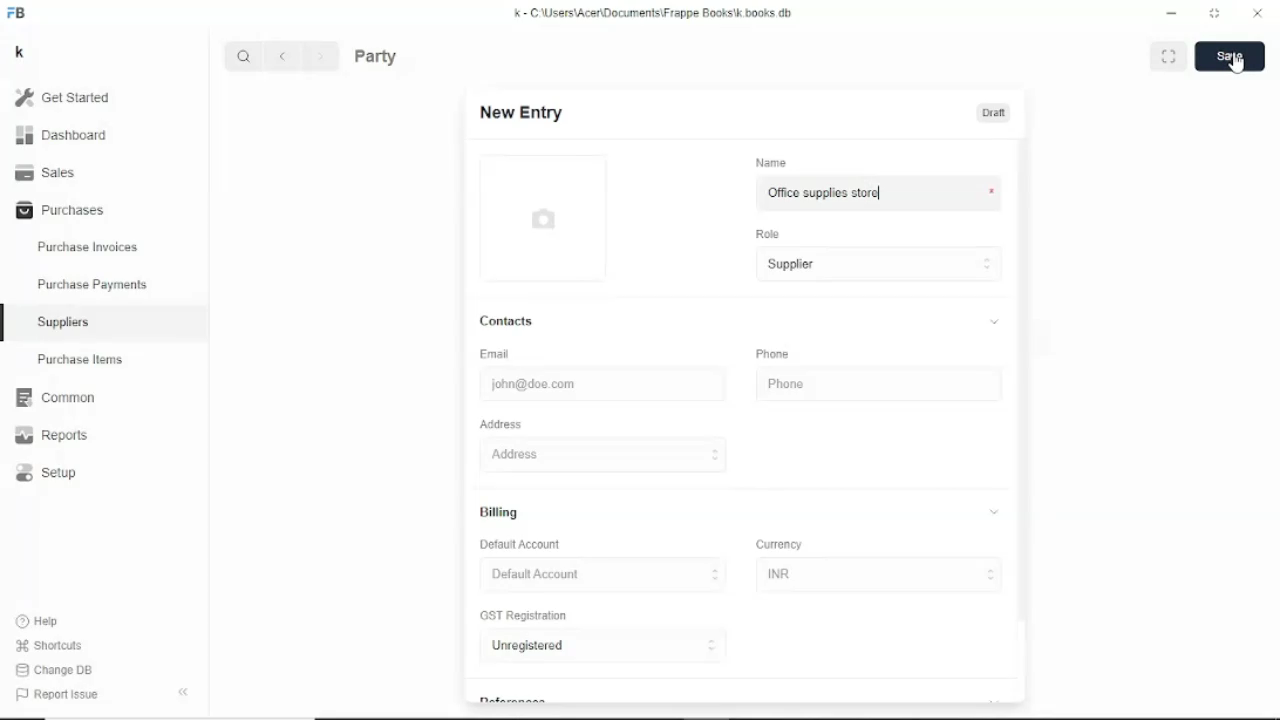 The image size is (1280, 720). I want to click on Cursor, so click(882, 193).